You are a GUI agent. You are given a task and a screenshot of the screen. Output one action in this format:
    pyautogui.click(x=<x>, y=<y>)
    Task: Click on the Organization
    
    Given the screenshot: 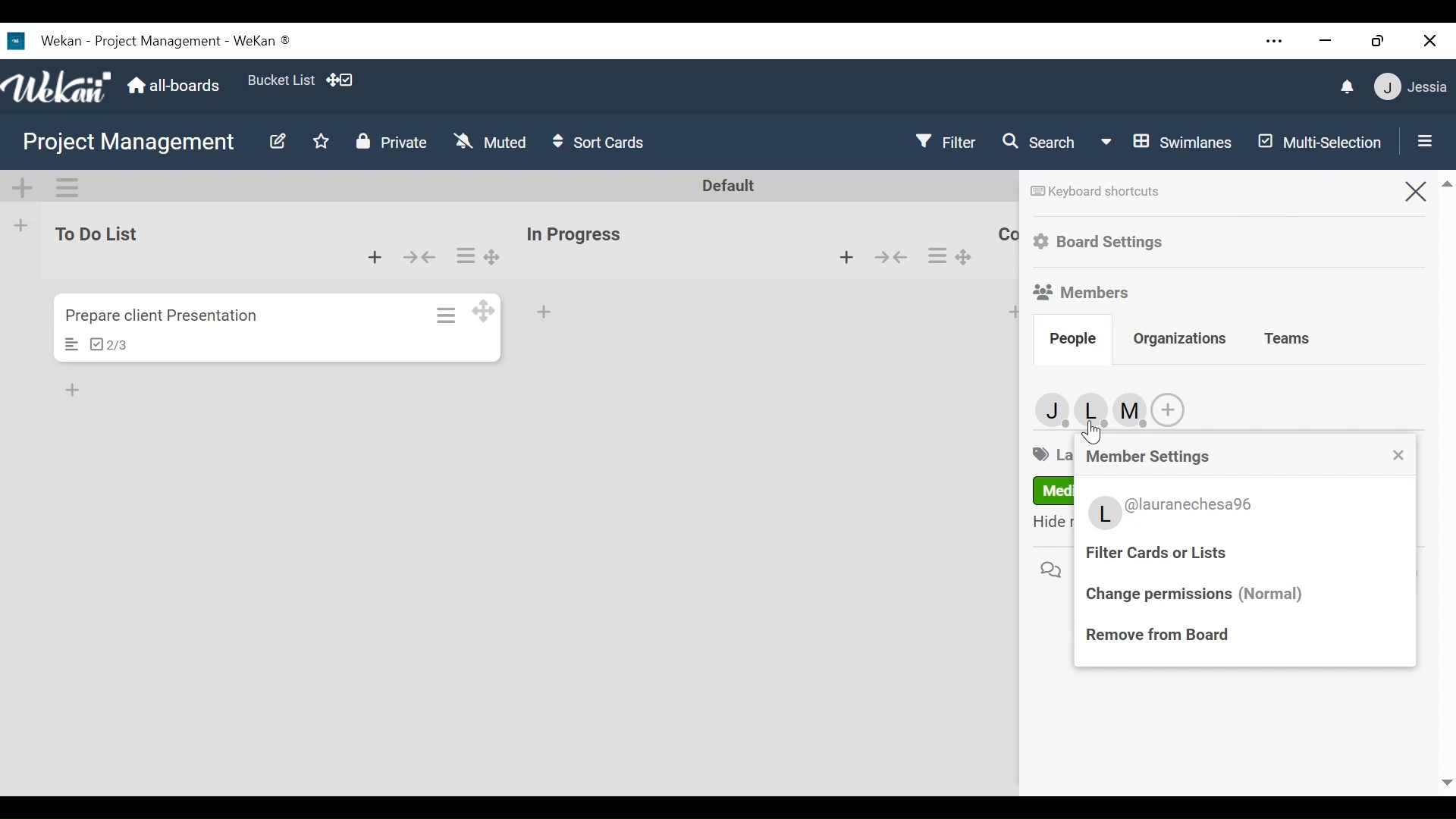 What is the action you would take?
    pyautogui.click(x=1181, y=340)
    